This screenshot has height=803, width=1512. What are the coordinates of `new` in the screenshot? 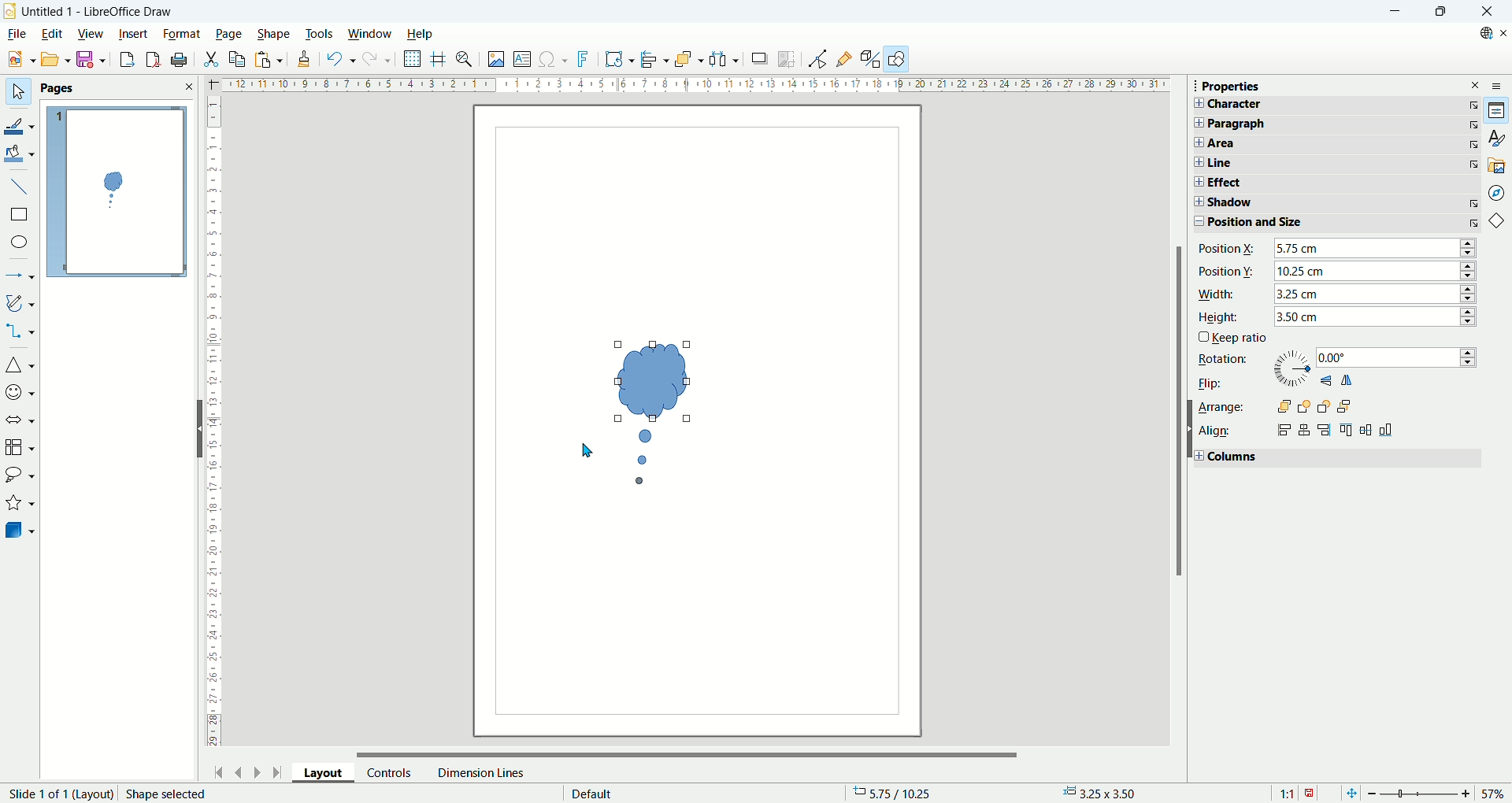 It's located at (18, 60).